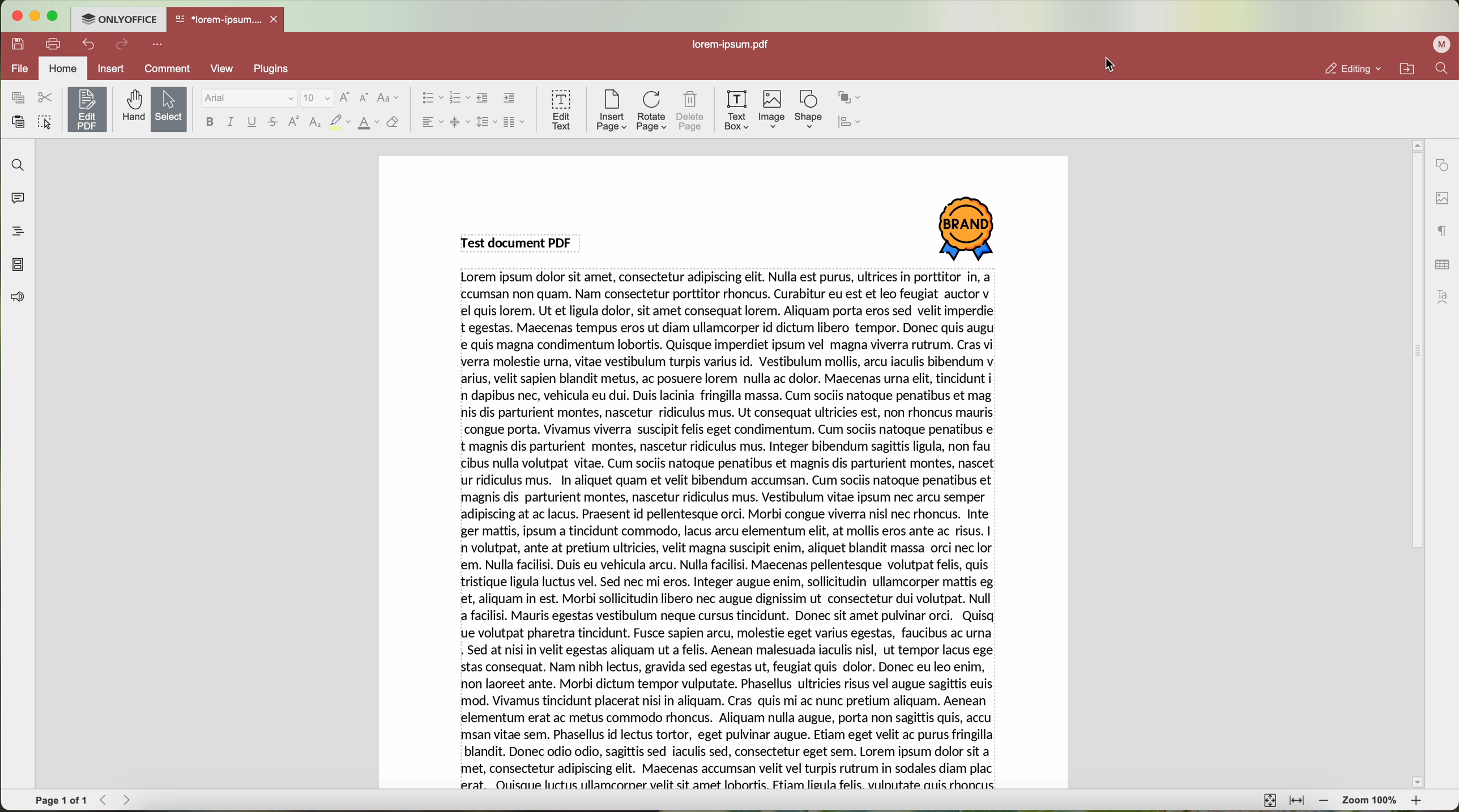 This screenshot has height=812, width=1459. I want to click on superscript, so click(295, 121).